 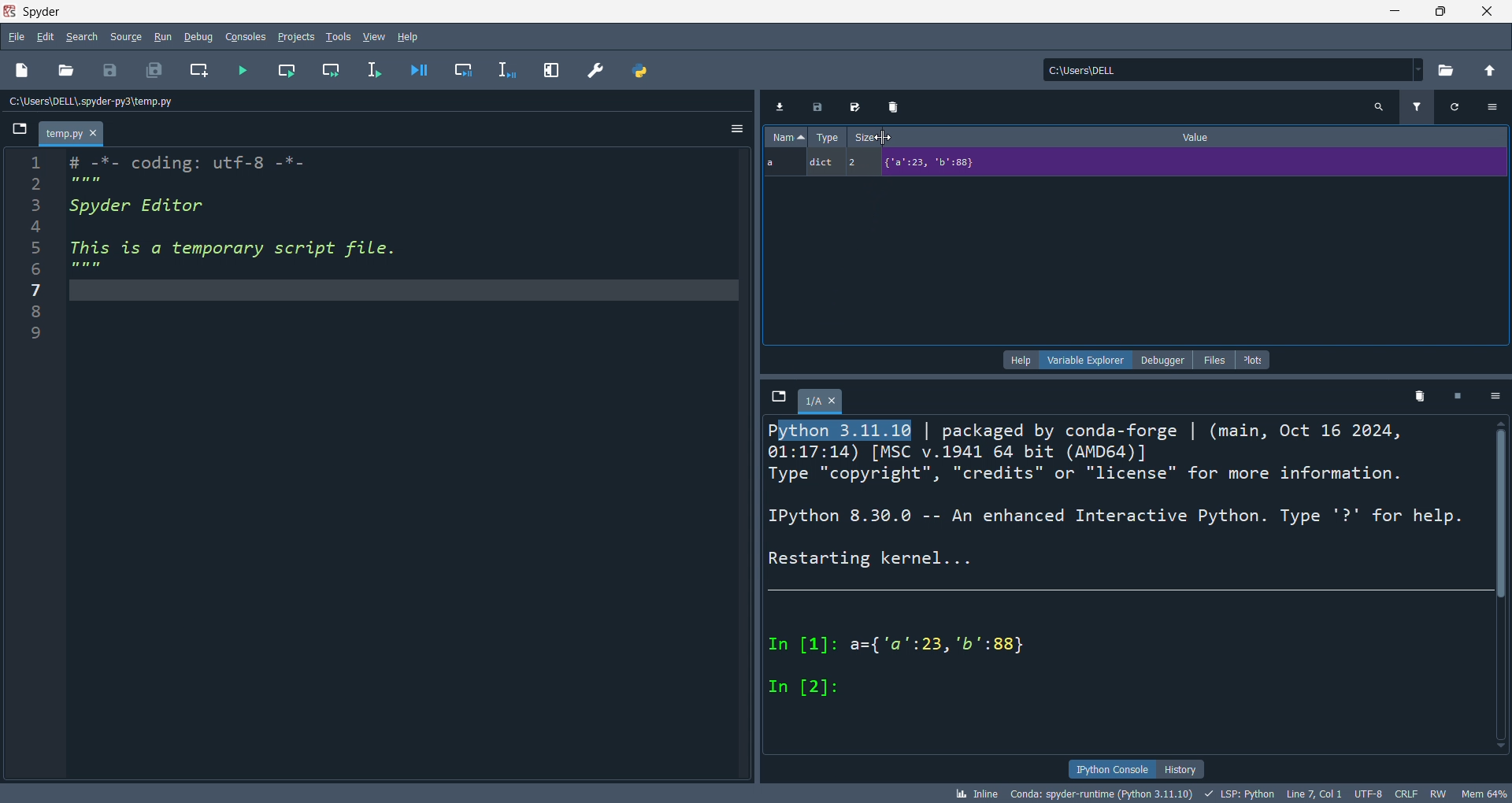 What do you see at coordinates (16, 130) in the screenshot?
I see `browse tabs` at bounding box center [16, 130].